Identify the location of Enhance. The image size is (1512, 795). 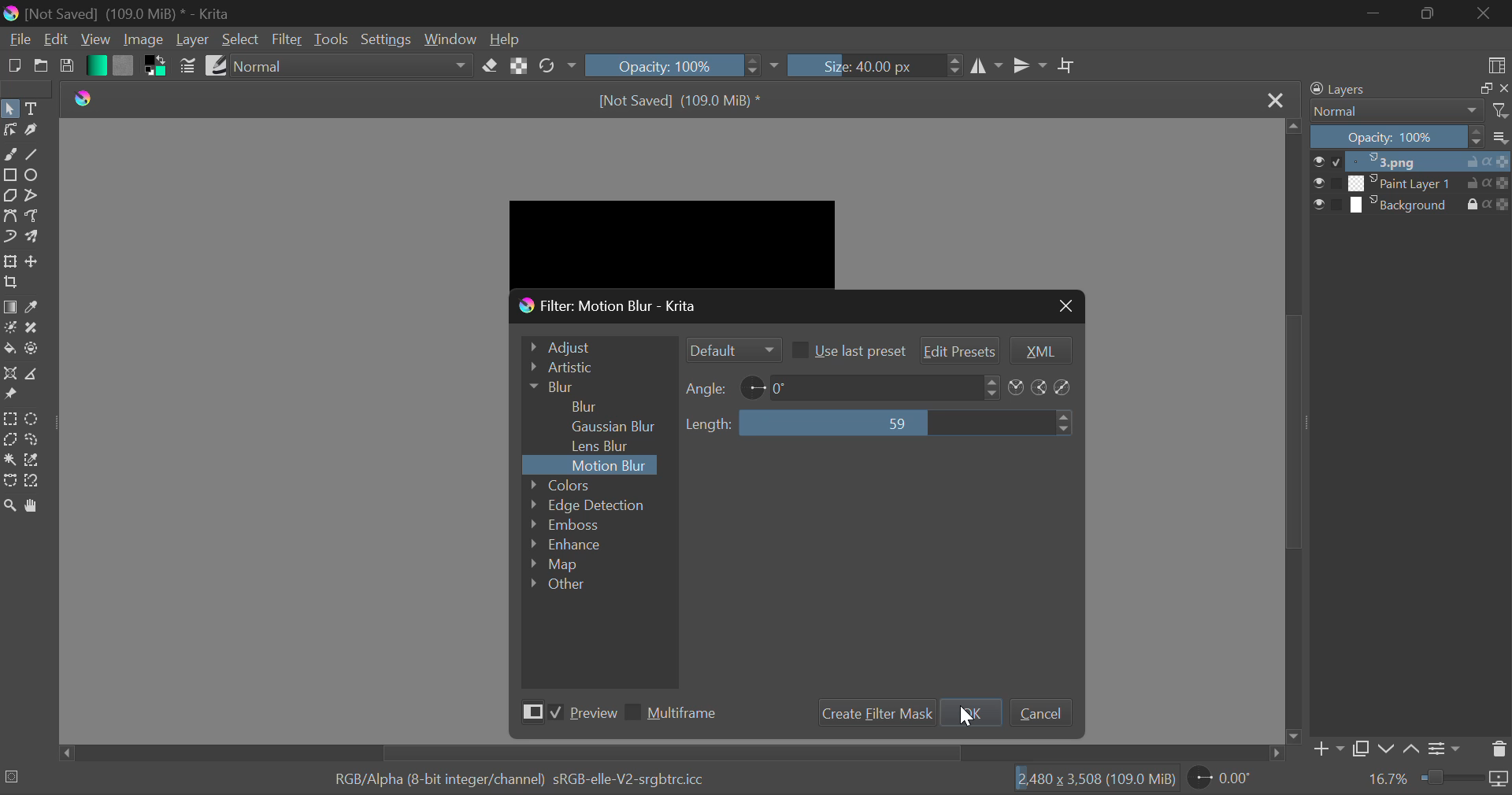
(568, 545).